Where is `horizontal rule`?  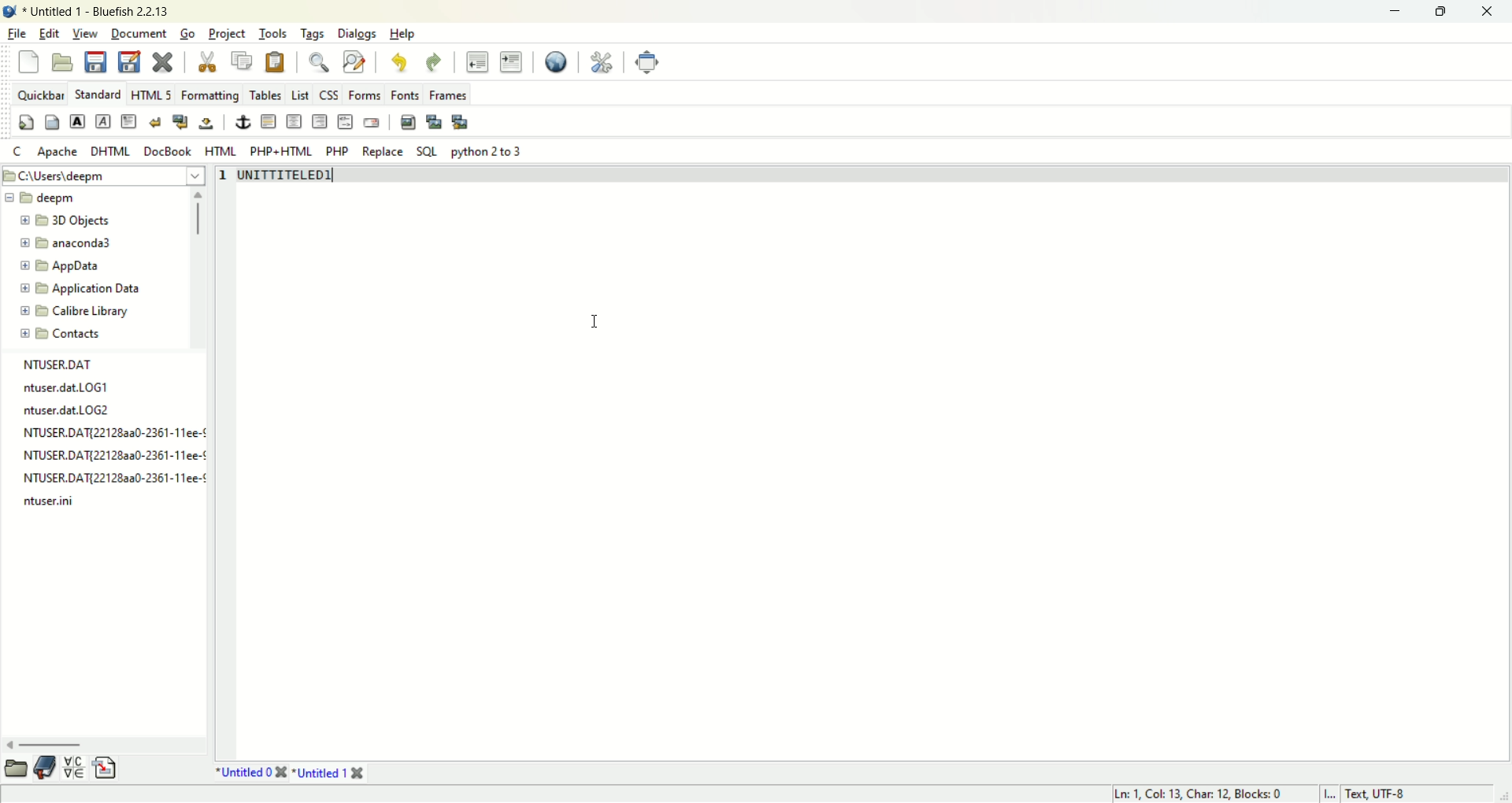
horizontal rule is located at coordinates (269, 123).